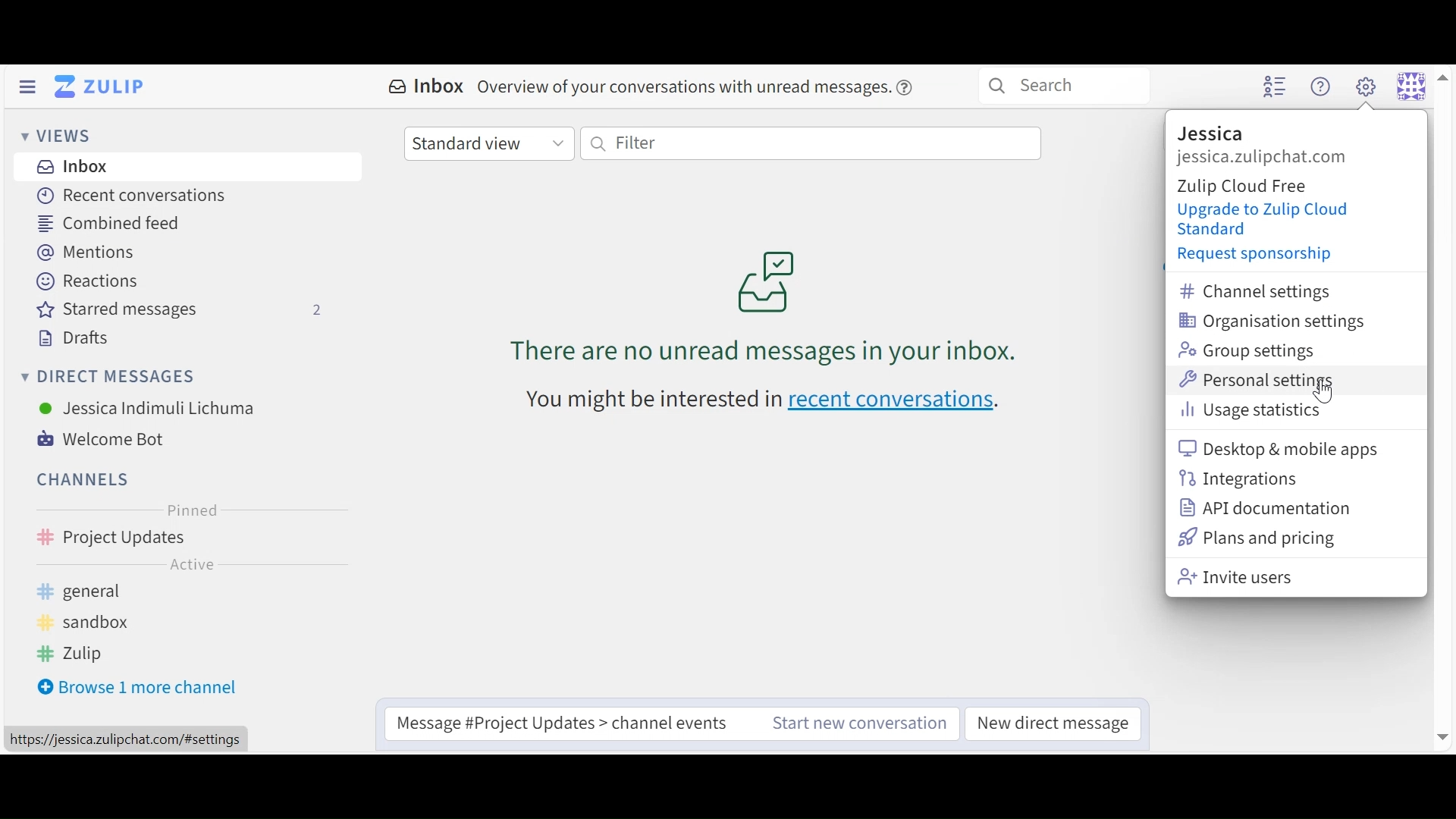 Image resolution: width=1456 pixels, height=819 pixels. What do you see at coordinates (135, 193) in the screenshot?
I see `Recent Conversations` at bounding box center [135, 193].